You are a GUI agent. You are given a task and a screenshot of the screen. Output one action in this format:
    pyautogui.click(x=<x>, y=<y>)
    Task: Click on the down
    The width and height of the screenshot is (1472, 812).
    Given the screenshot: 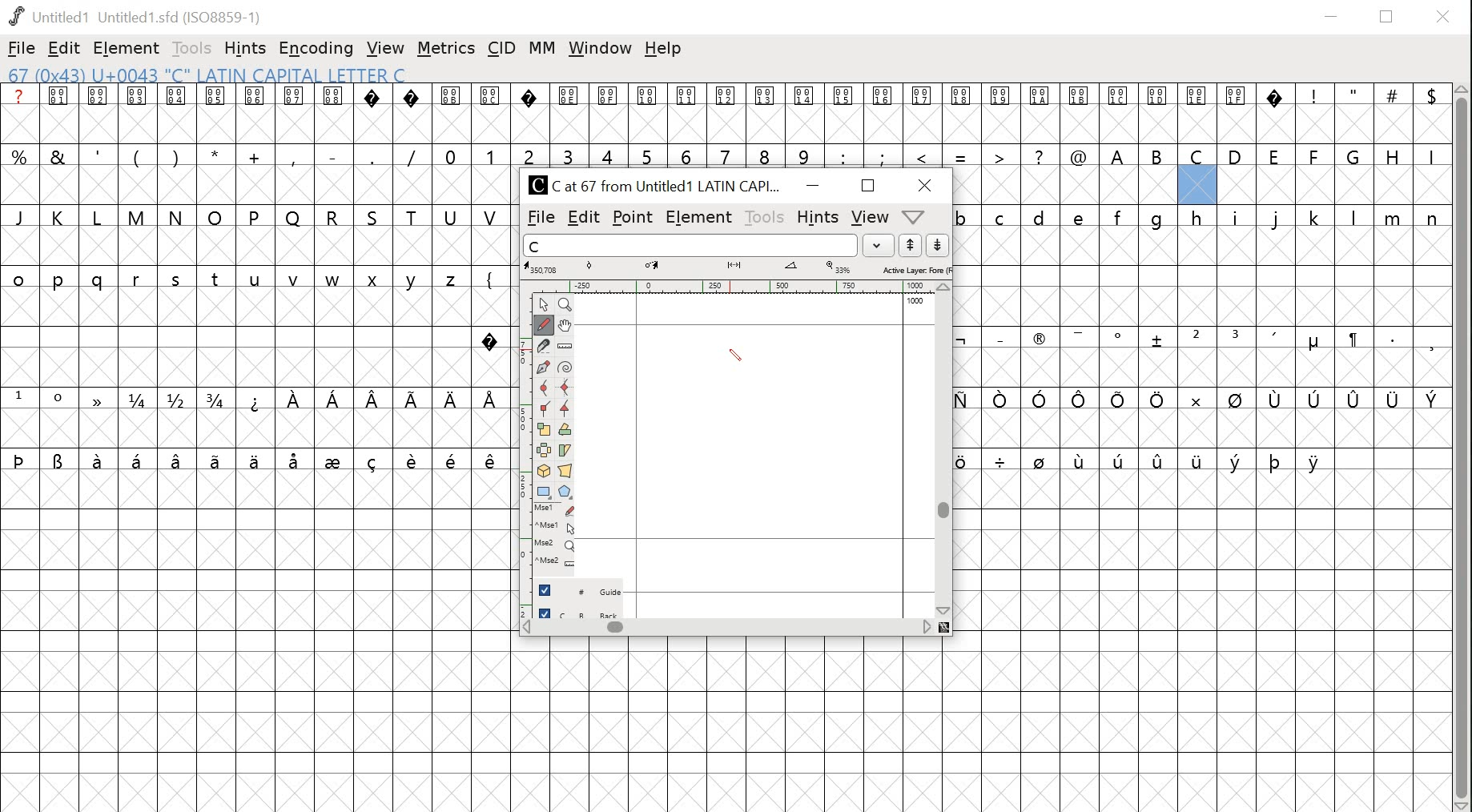 What is the action you would take?
    pyautogui.click(x=939, y=245)
    